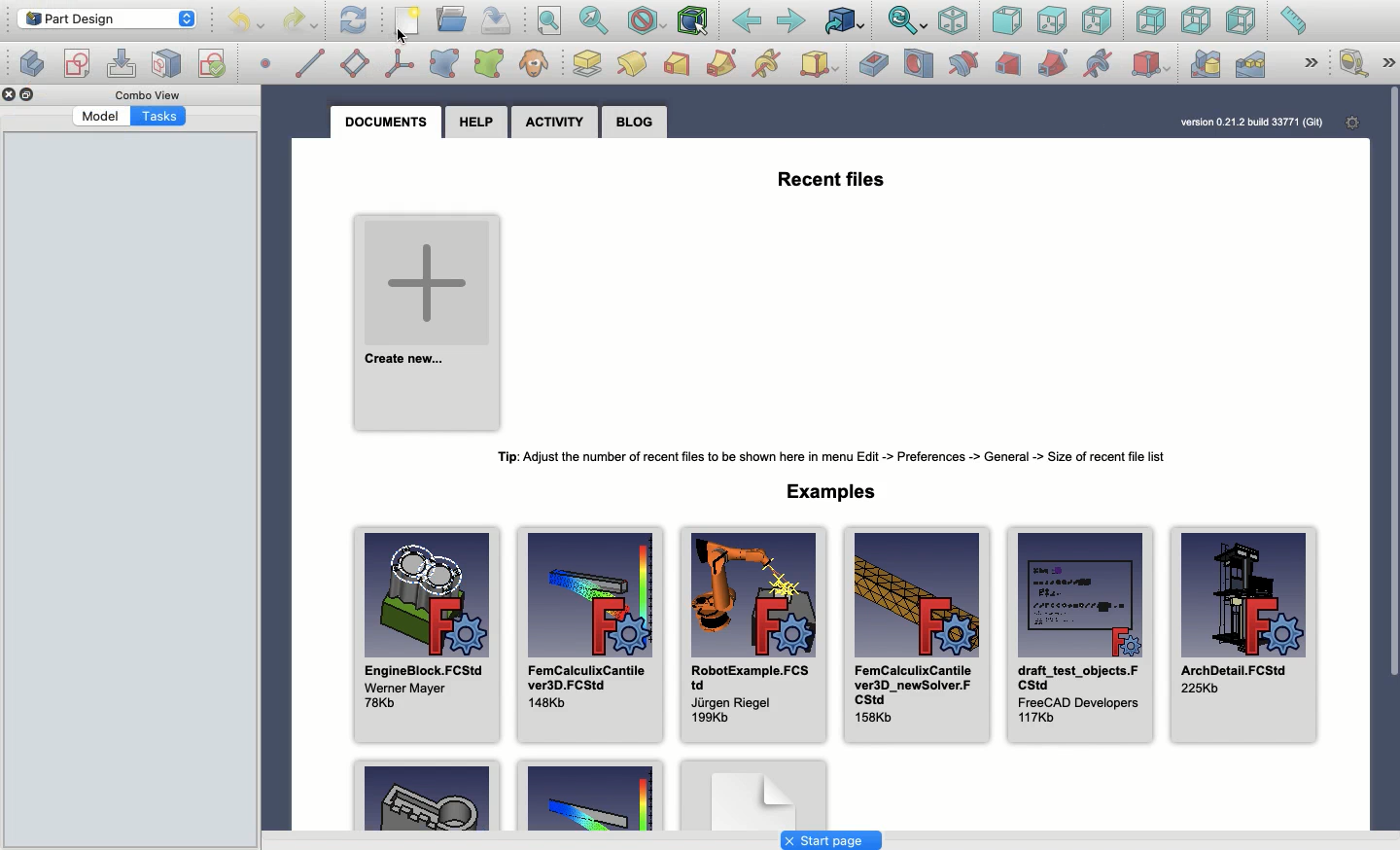 Image resolution: width=1400 pixels, height=850 pixels. What do you see at coordinates (1080, 631) in the screenshot?
I see `draft_test_objects.FCStd FreeCAD Developers 117Kb` at bounding box center [1080, 631].